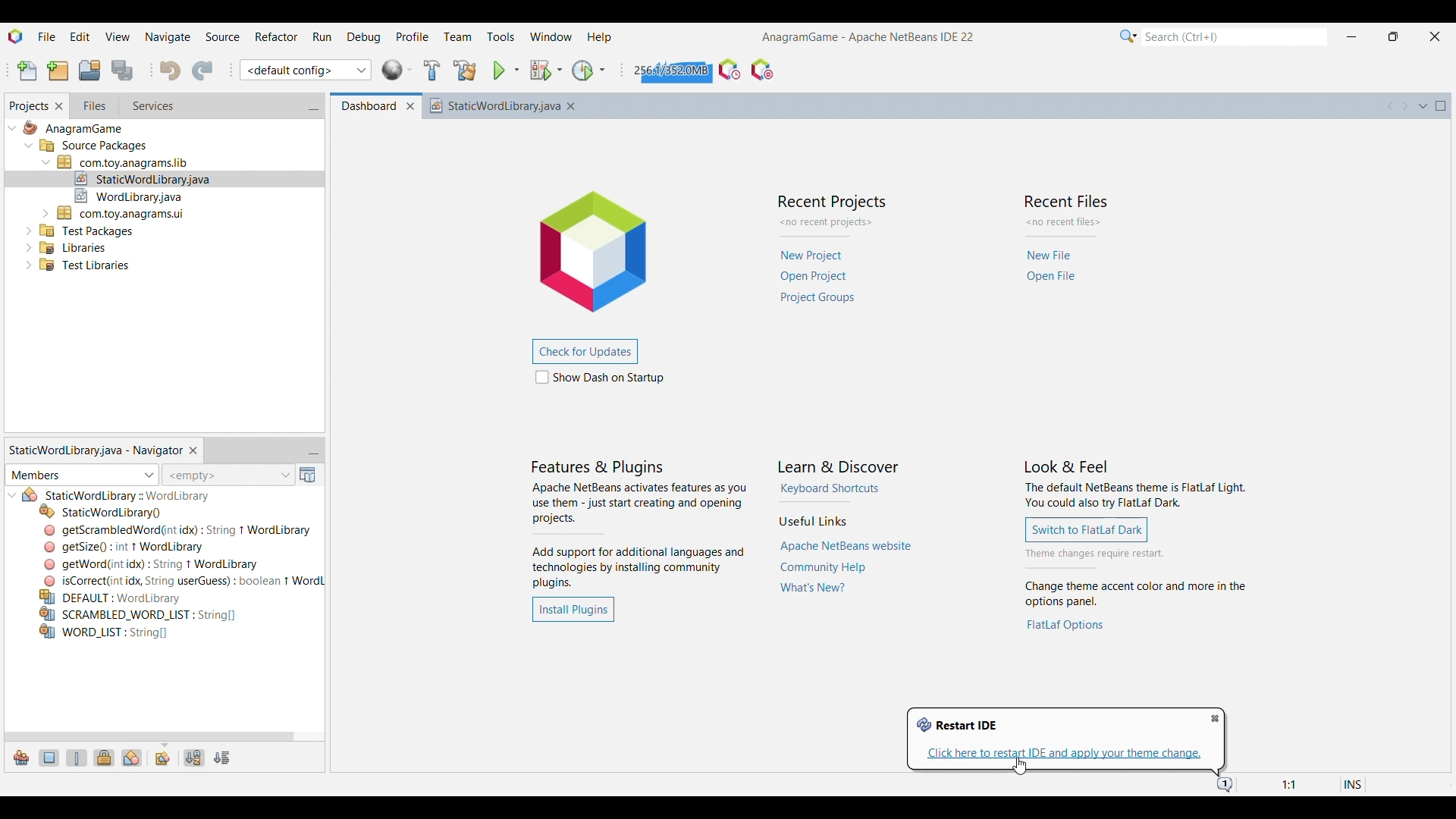 Image resolution: width=1456 pixels, height=819 pixels. What do you see at coordinates (80, 35) in the screenshot?
I see `Edit menu` at bounding box center [80, 35].